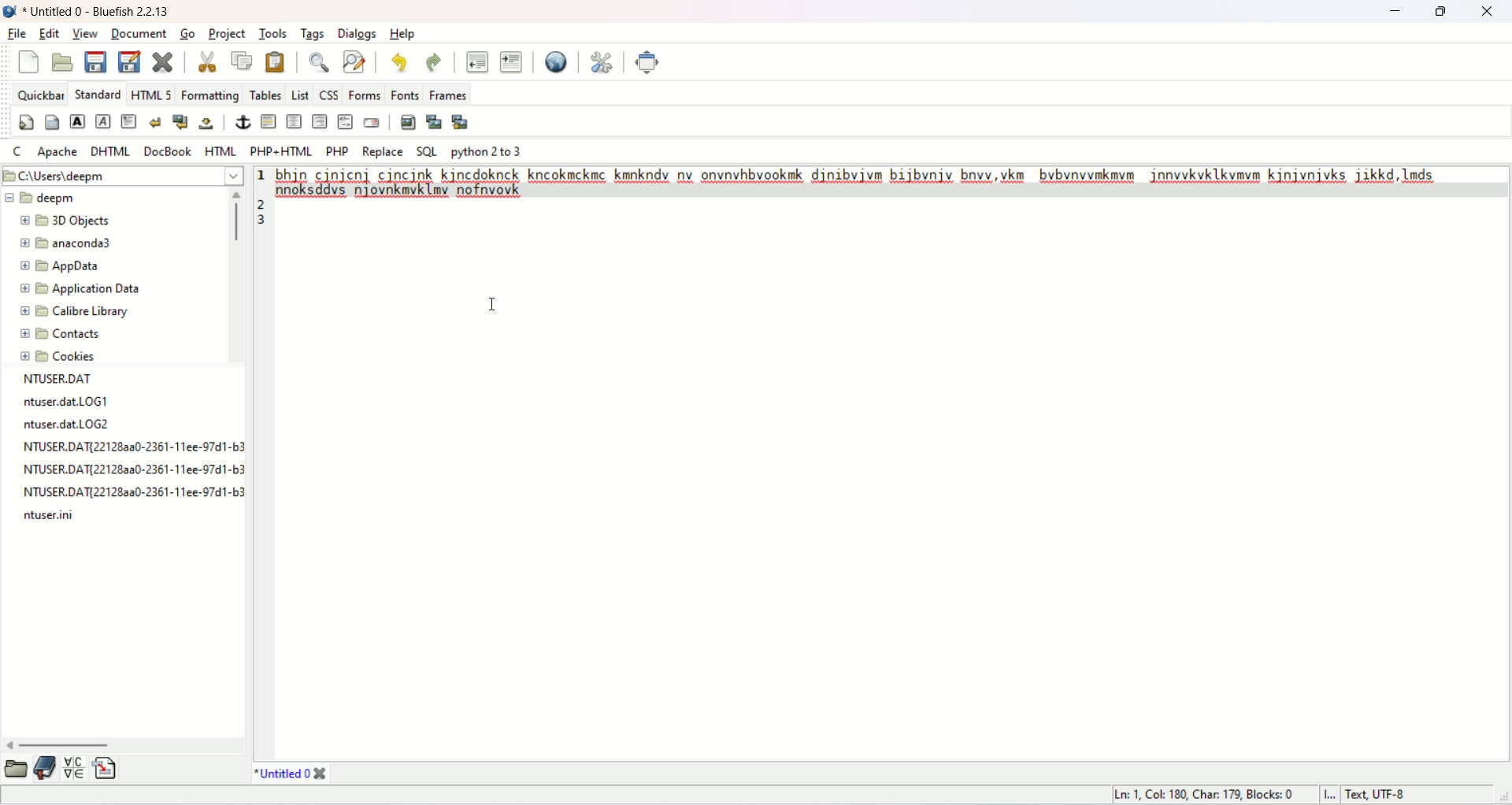 This screenshot has width=1512, height=805. I want to click on quickbar, so click(41, 98).